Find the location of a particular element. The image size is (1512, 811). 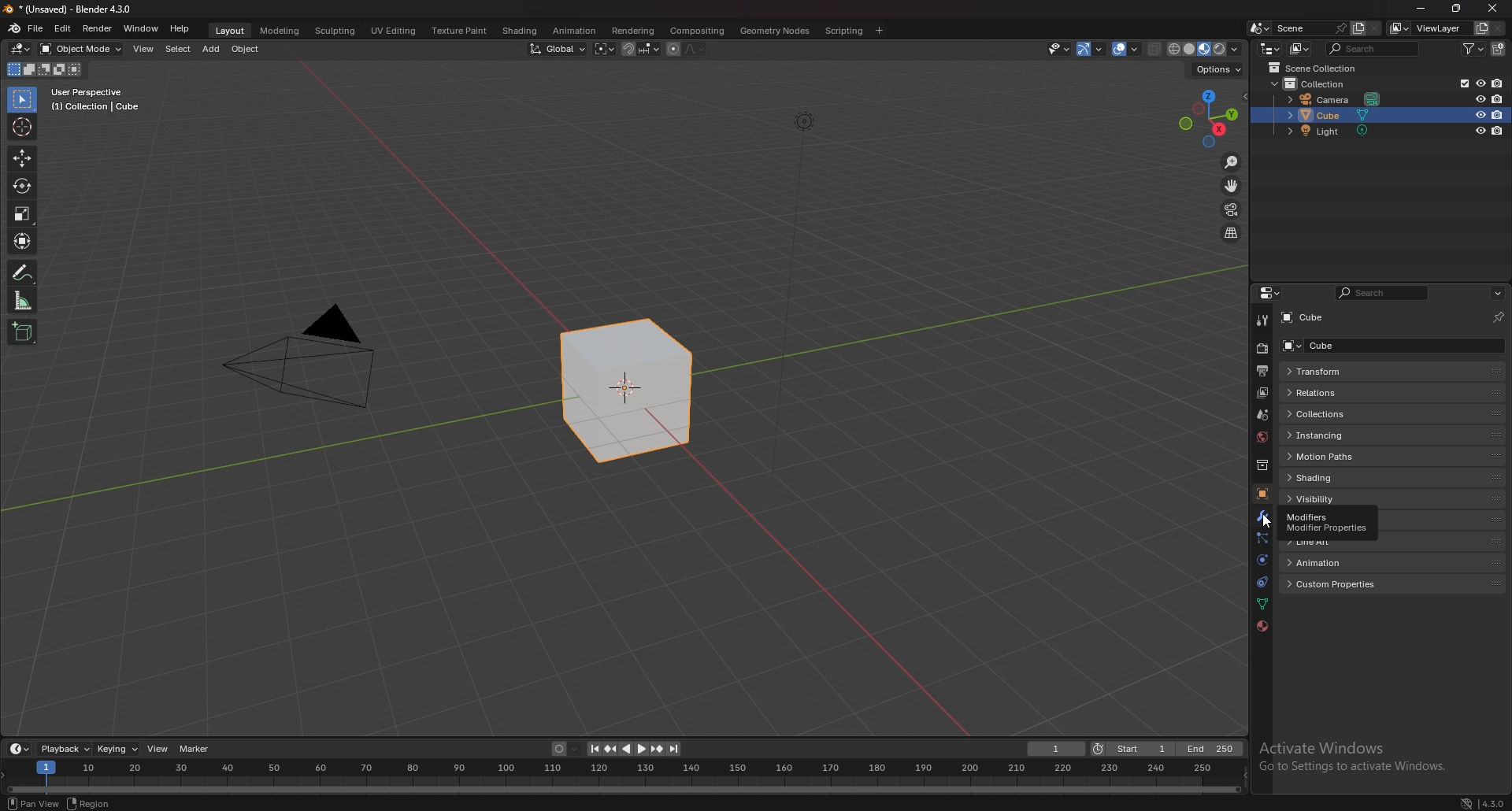

toggle xray is located at coordinates (1156, 49).